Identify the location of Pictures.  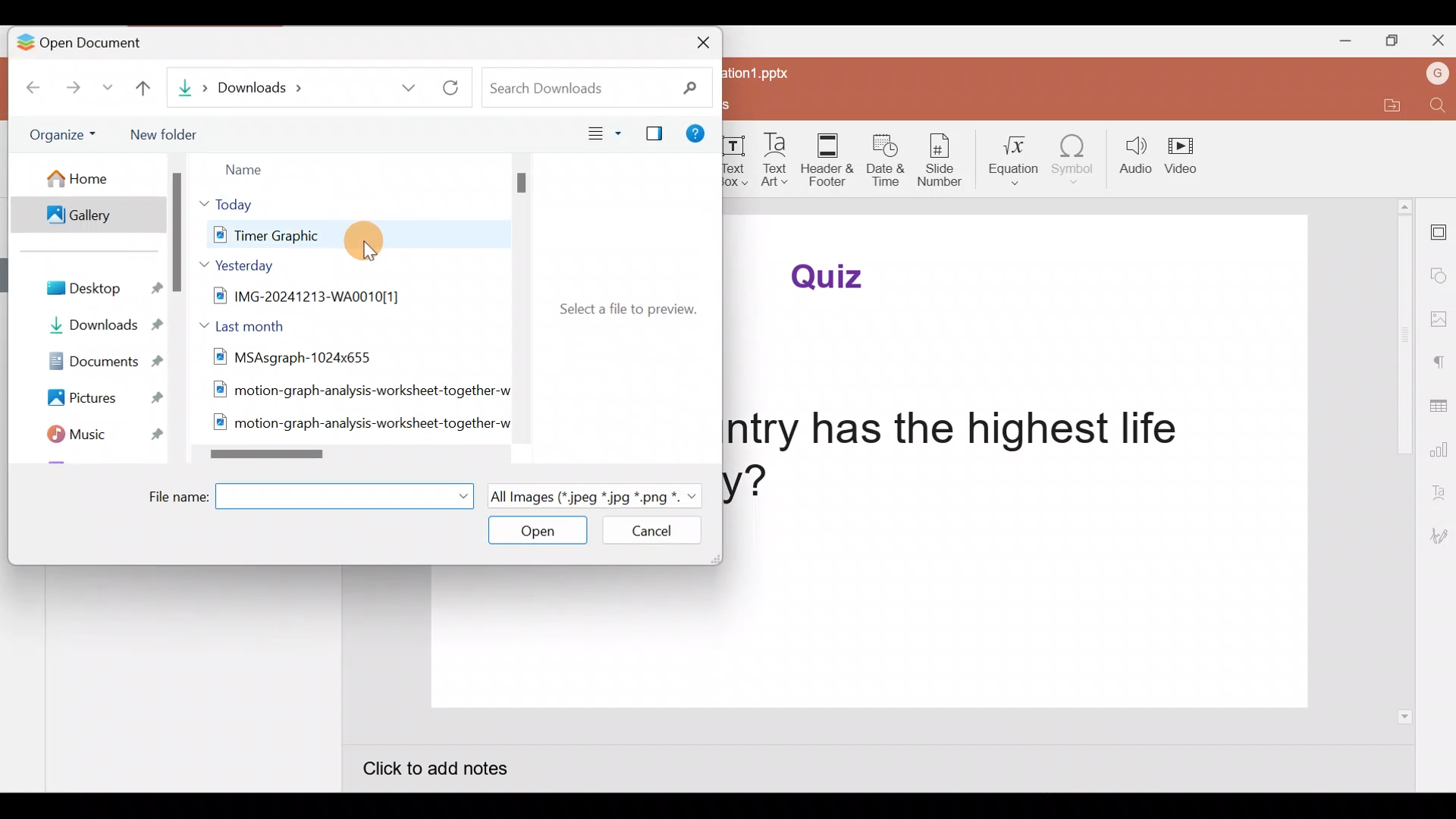
(94, 394).